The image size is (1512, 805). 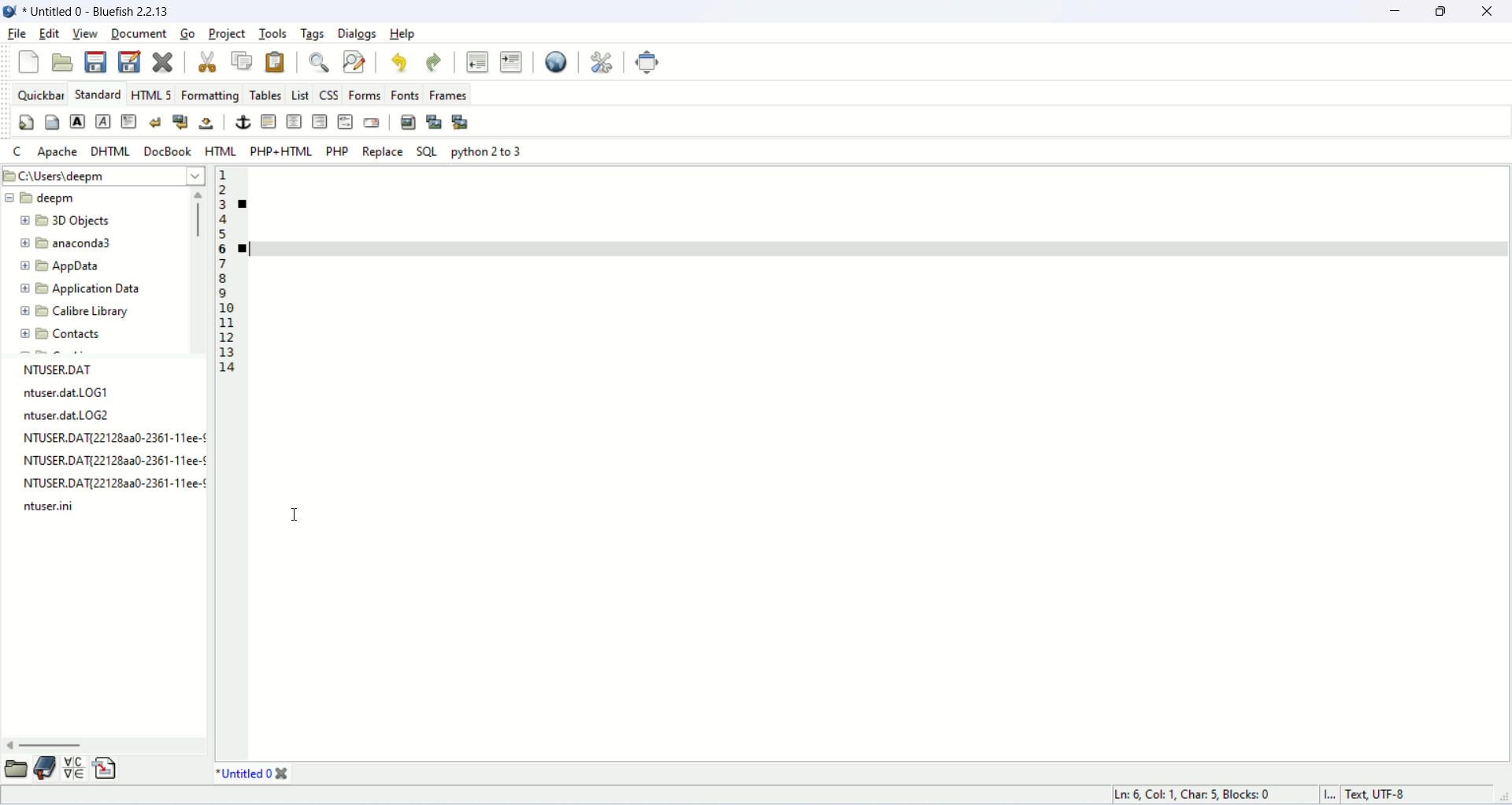 What do you see at coordinates (15, 150) in the screenshot?
I see `C` at bounding box center [15, 150].